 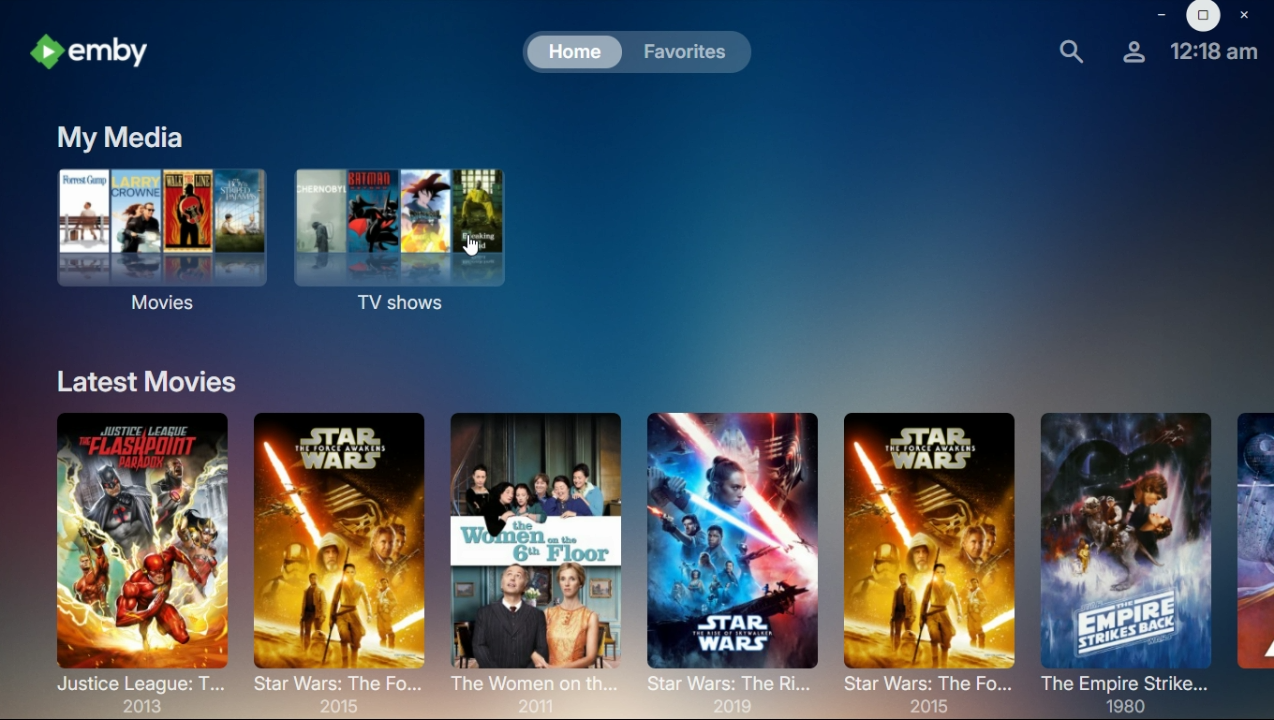 What do you see at coordinates (341, 554) in the screenshot?
I see `star wars the force awakens 2015` at bounding box center [341, 554].